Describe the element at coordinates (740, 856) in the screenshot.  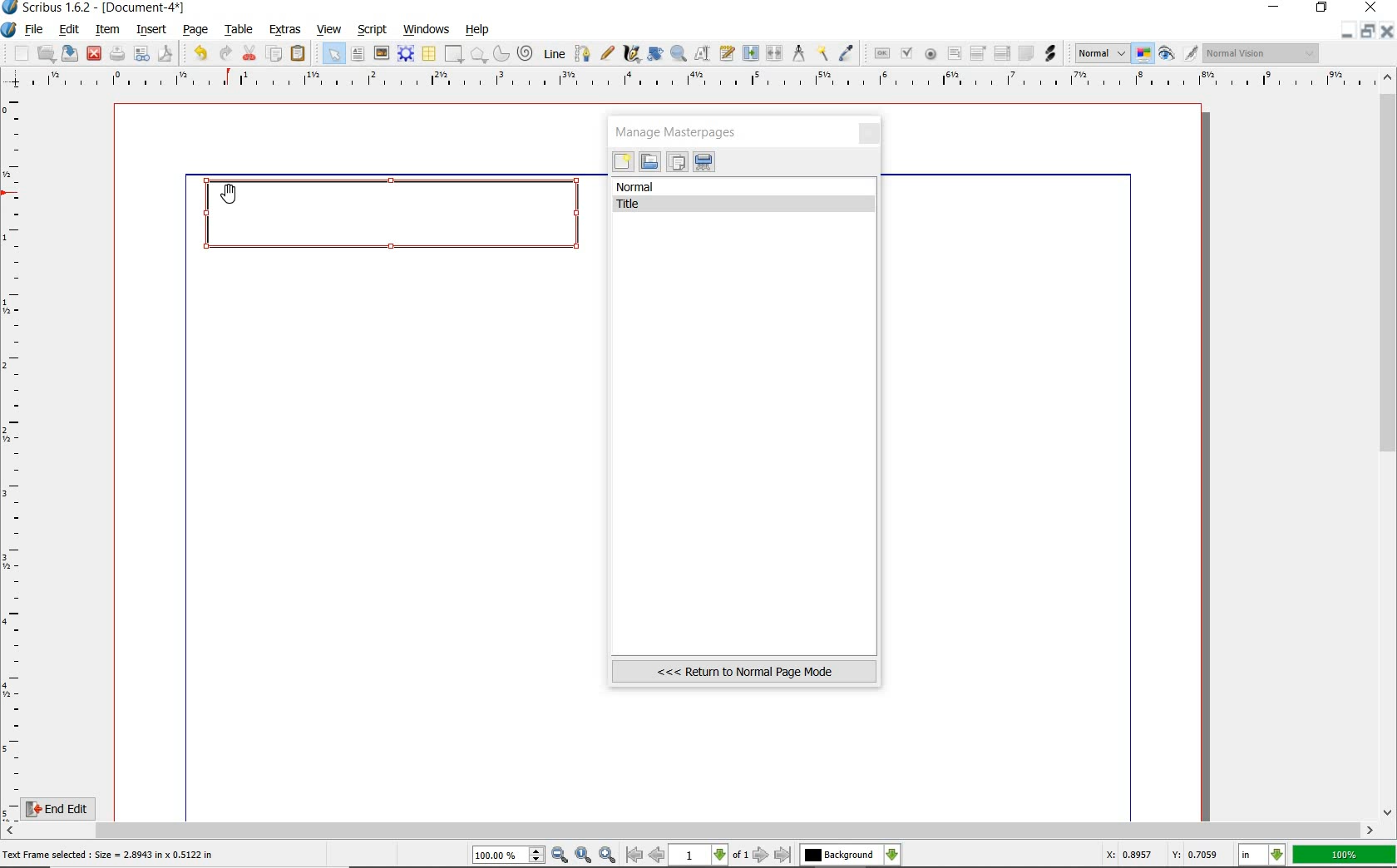
I see `of 1` at that location.